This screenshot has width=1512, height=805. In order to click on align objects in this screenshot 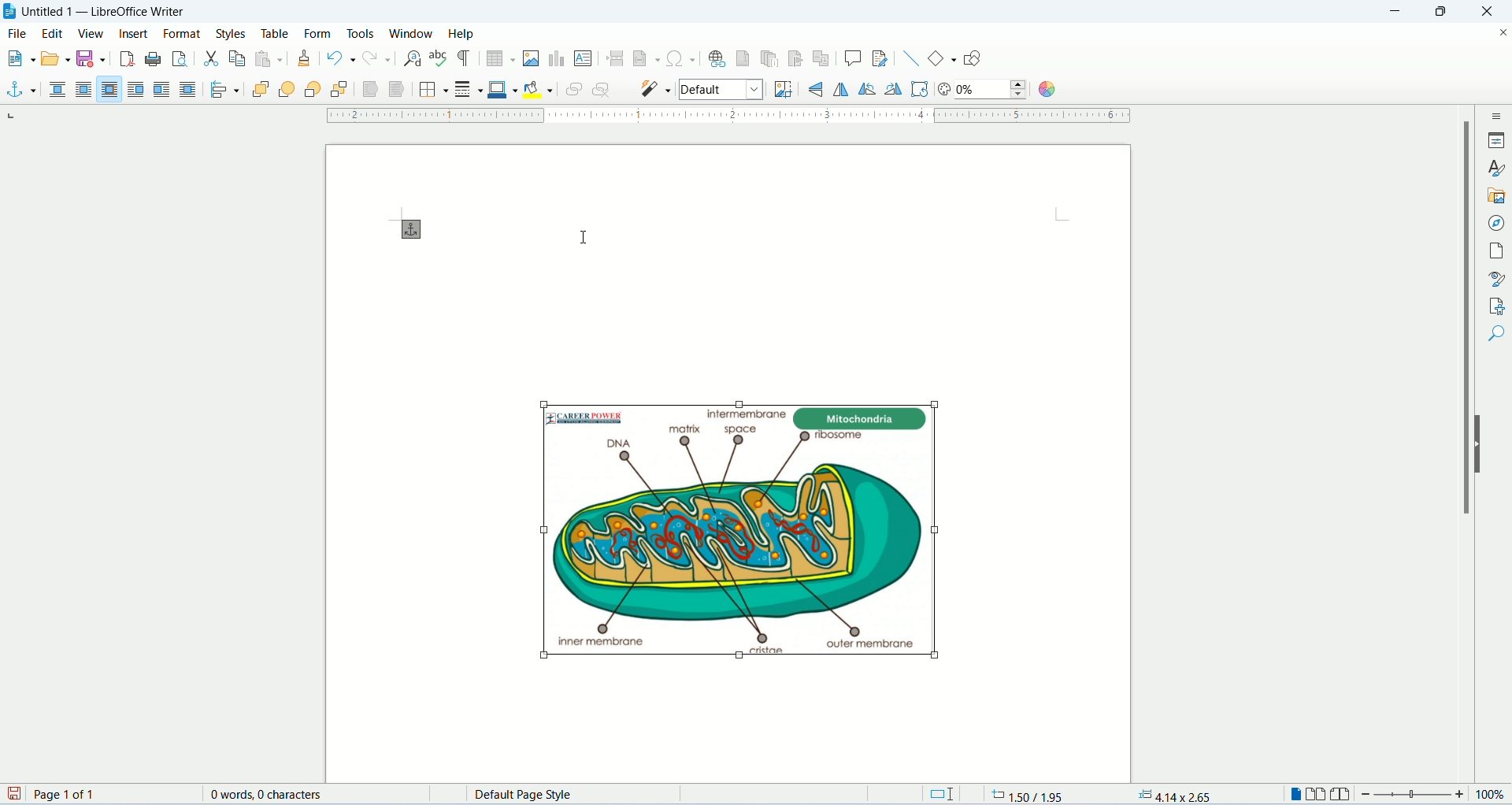, I will do `click(223, 91)`.